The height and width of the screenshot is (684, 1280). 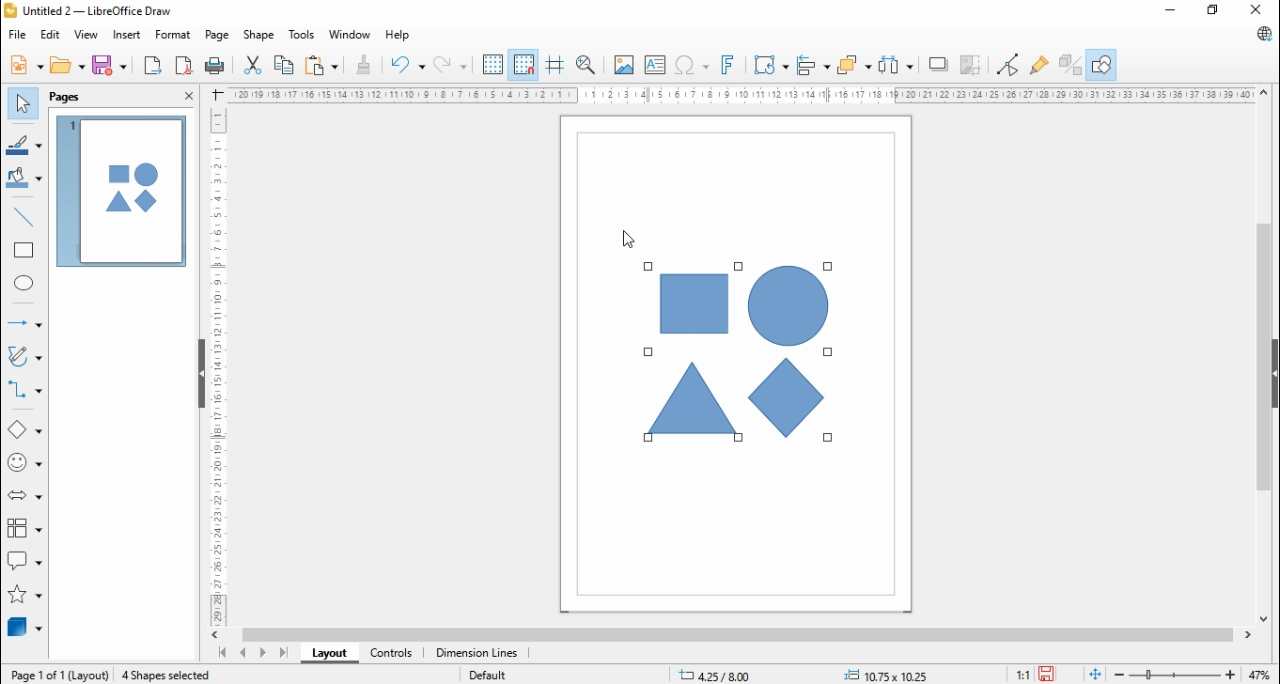 What do you see at coordinates (168, 675) in the screenshot?
I see `4 shapes selected` at bounding box center [168, 675].